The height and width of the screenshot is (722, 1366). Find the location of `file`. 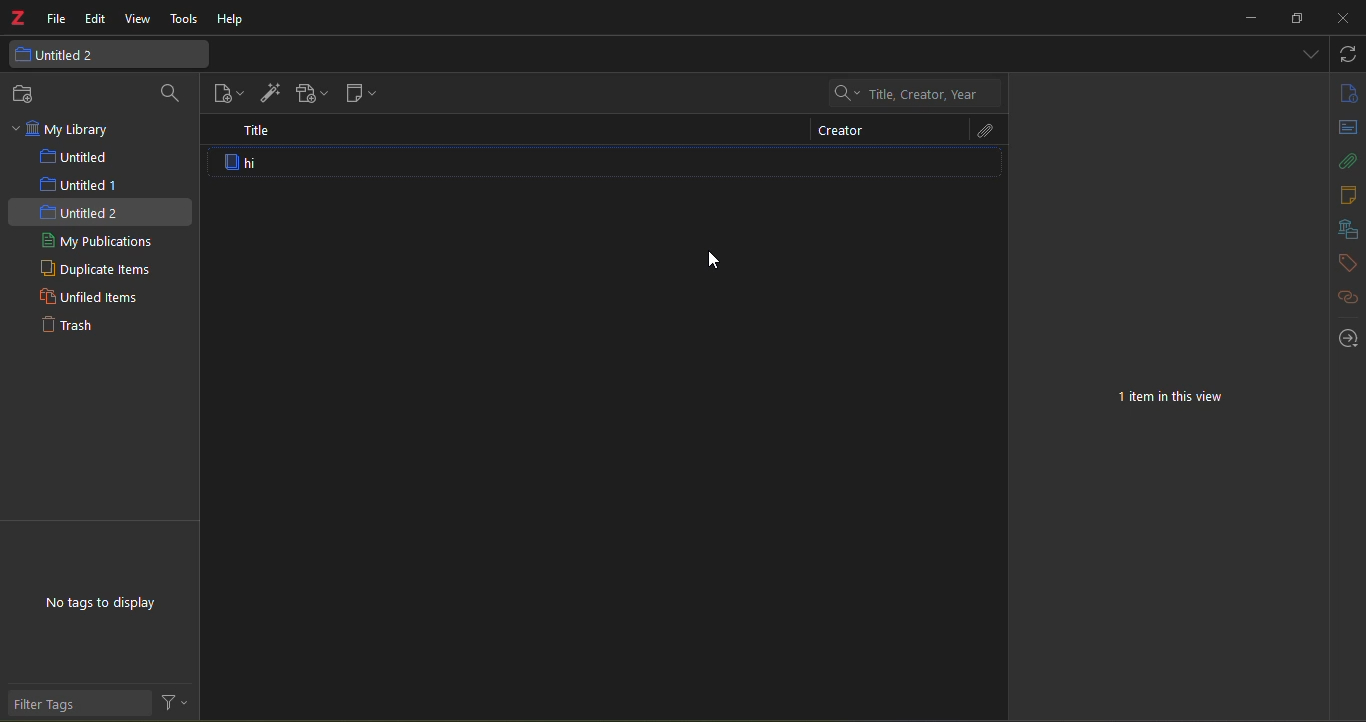

file is located at coordinates (57, 20).